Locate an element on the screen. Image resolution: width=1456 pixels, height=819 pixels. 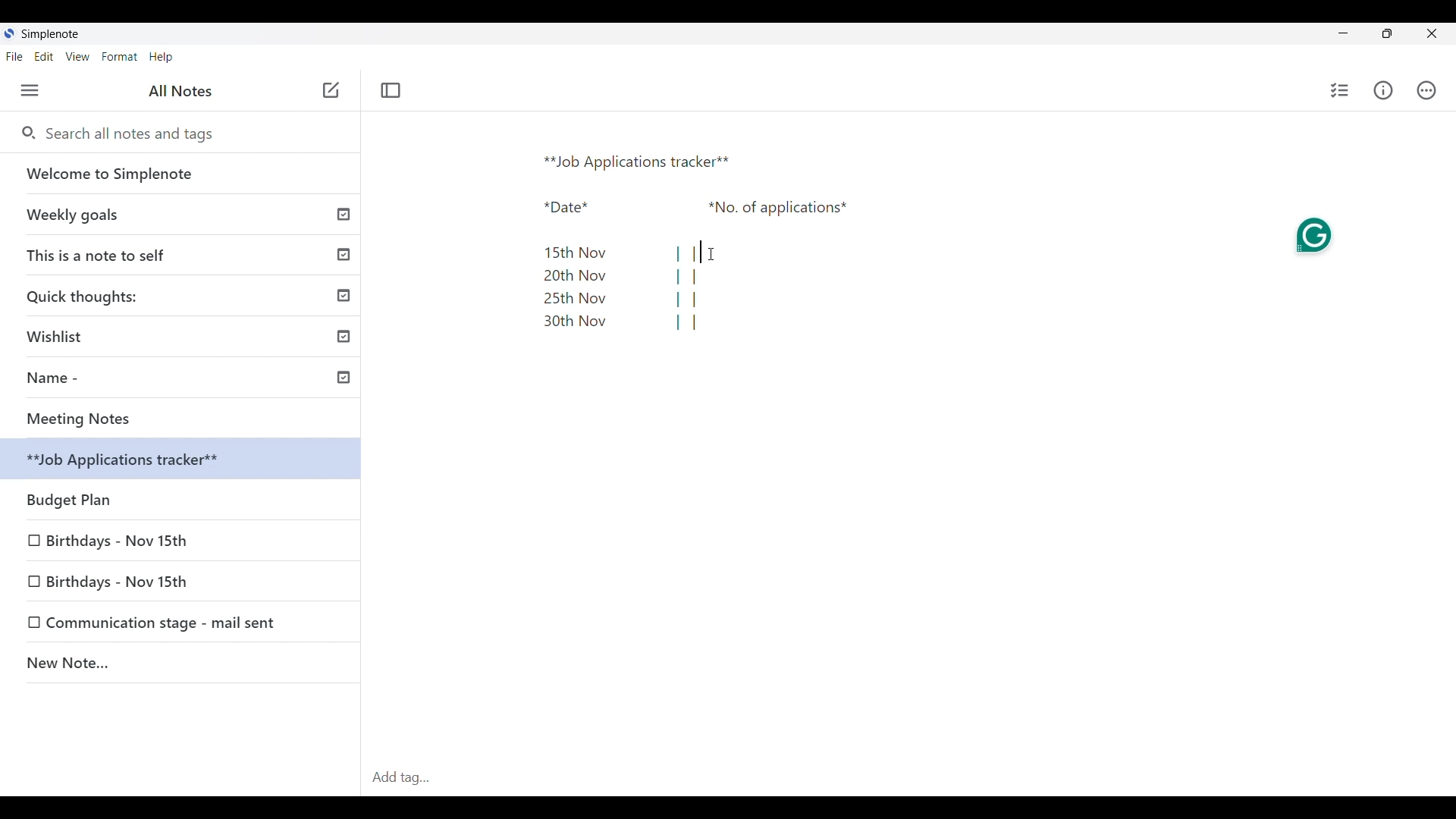
Edit is located at coordinates (44, 56).